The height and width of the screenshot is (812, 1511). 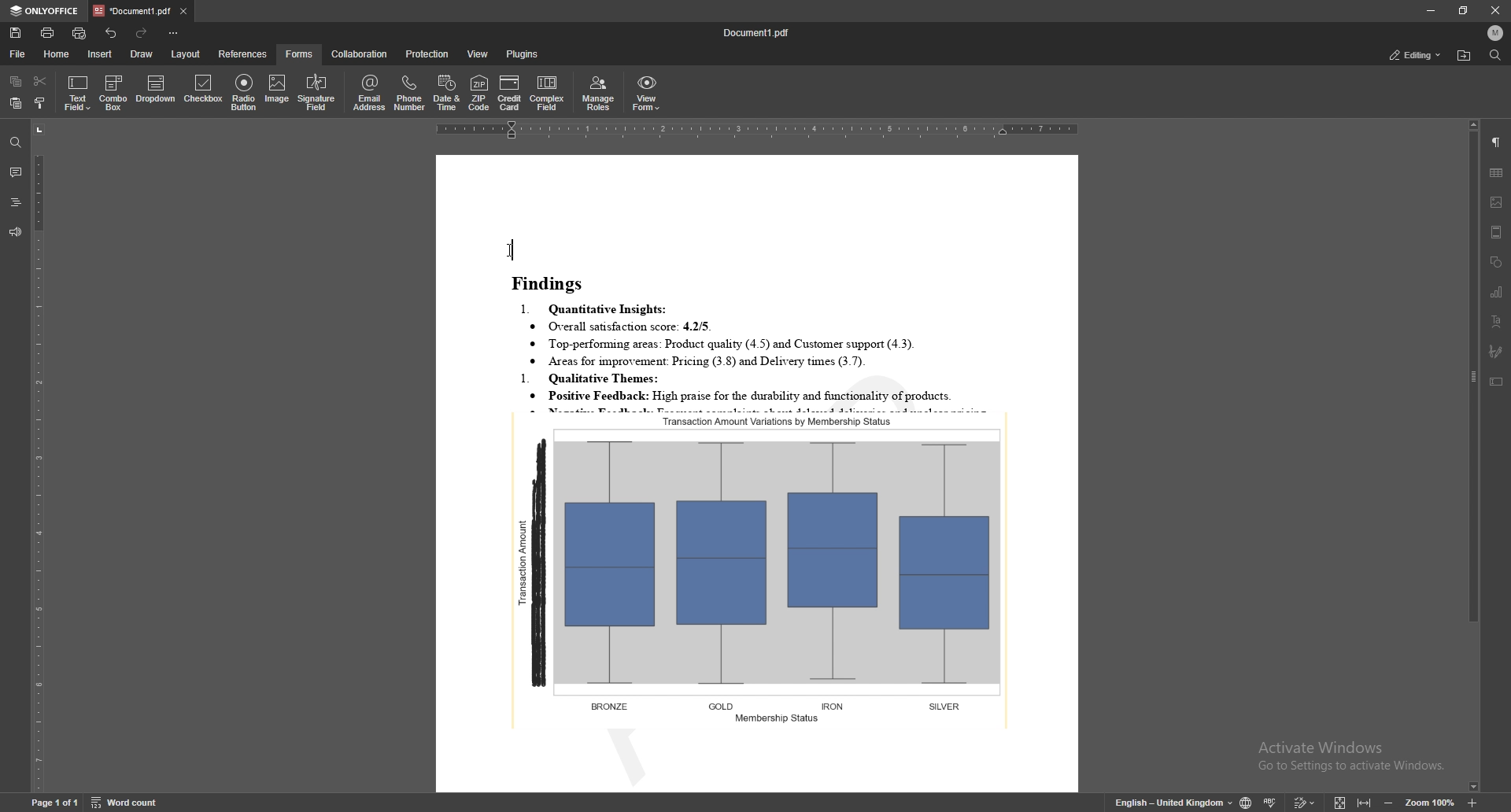 What do you see at coordinates (79, 34) in the screenshot?
I see `quick print` at bounding box center [79, 34].